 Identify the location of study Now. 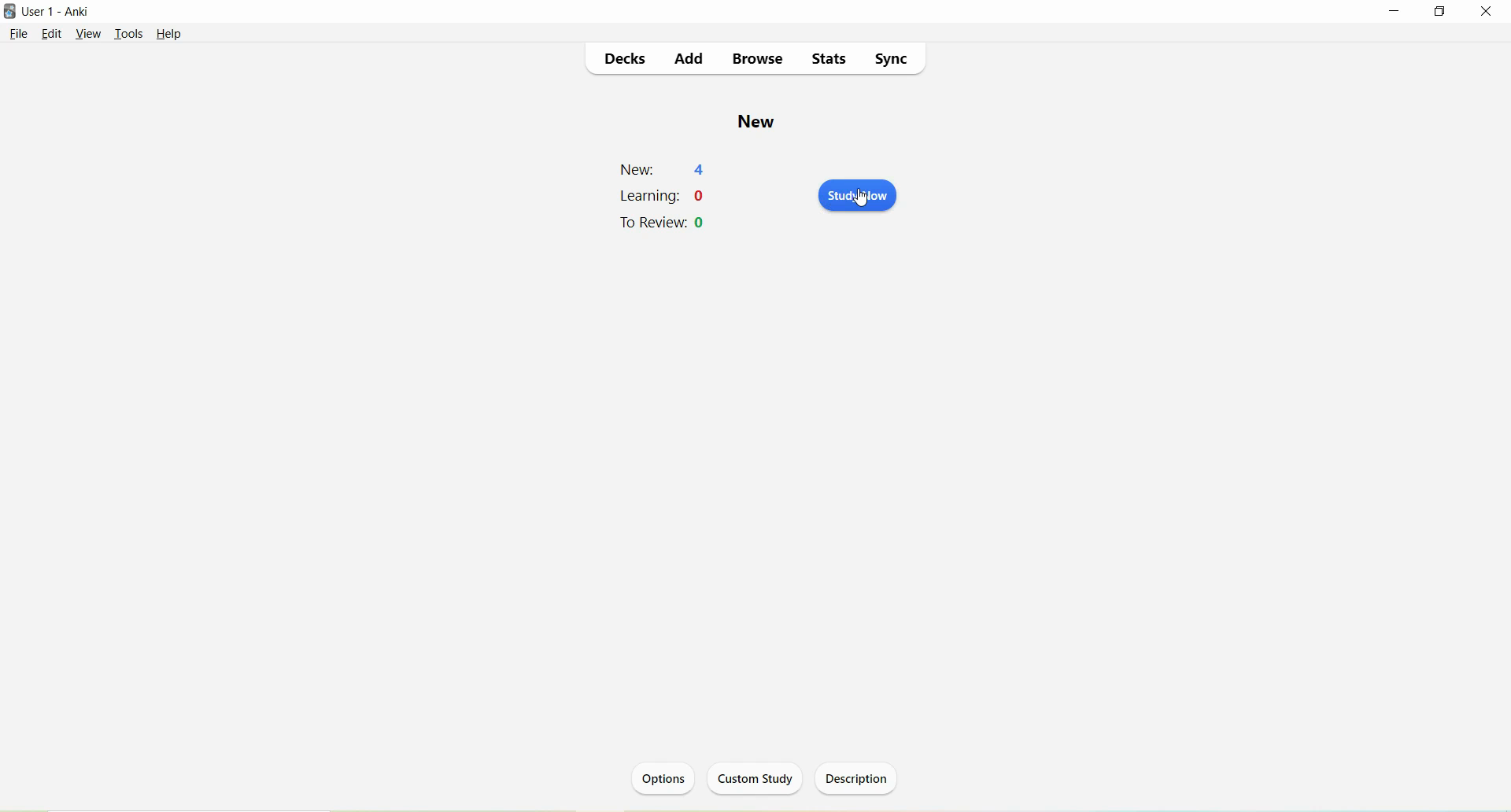
(858, 196).